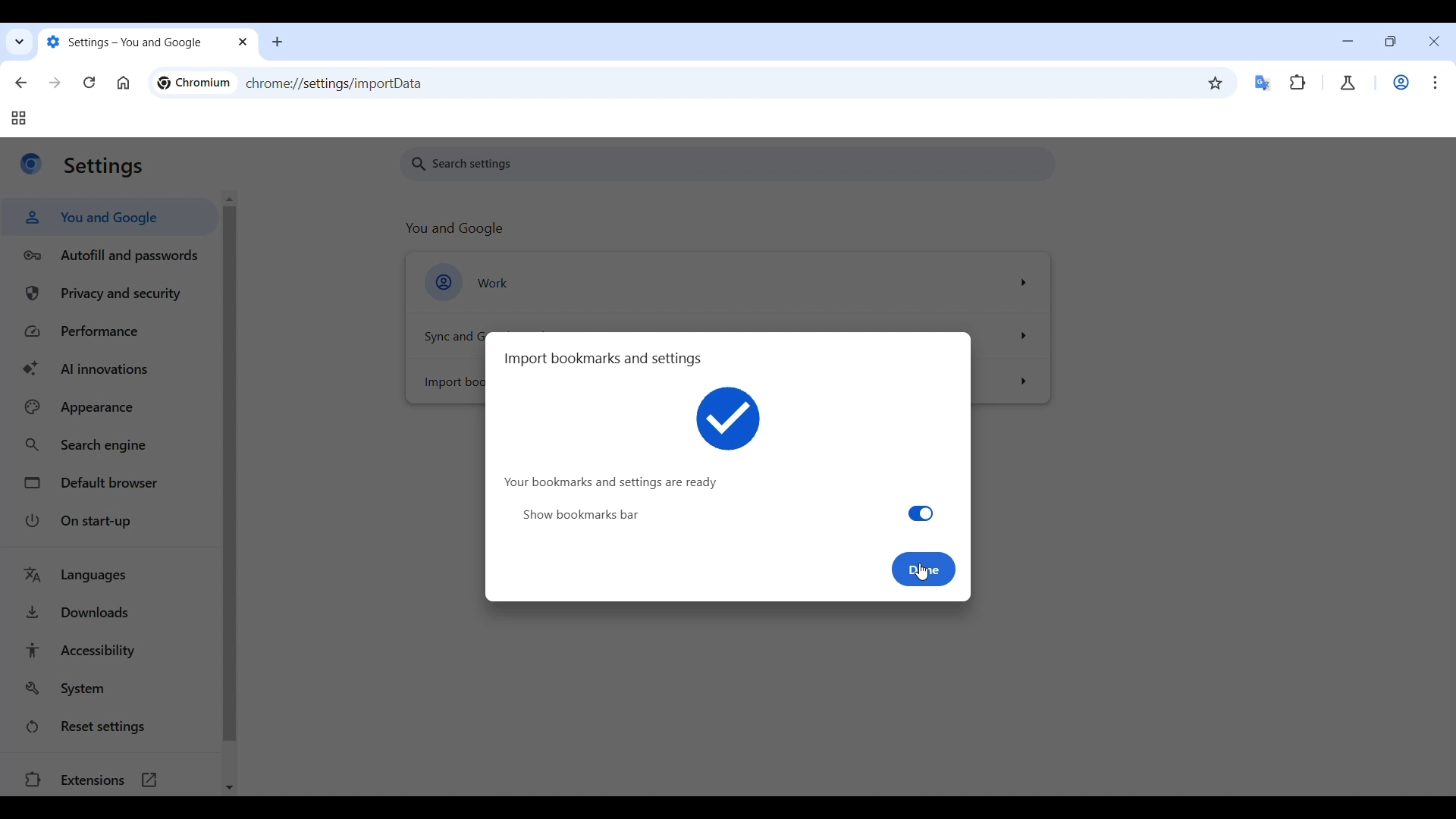 This screenshot has height=819, width=1456. I want to click on Work , so click(728, 282).